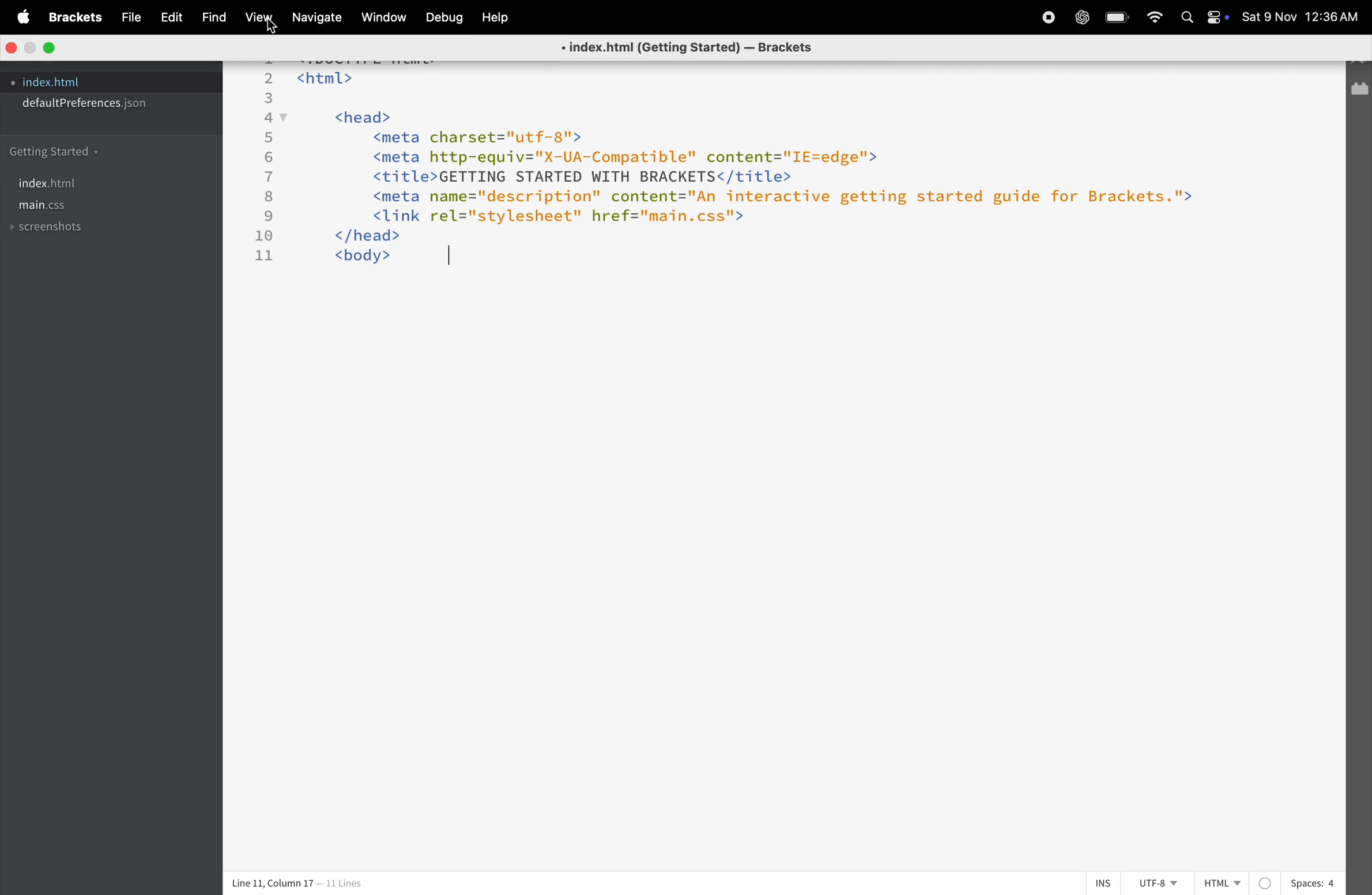 The width and height of the screenshot is (1372, 895). What do you see at coordinates (451, 258) in the screenshot?
I see `cursor` at bounding box center [451, 258].